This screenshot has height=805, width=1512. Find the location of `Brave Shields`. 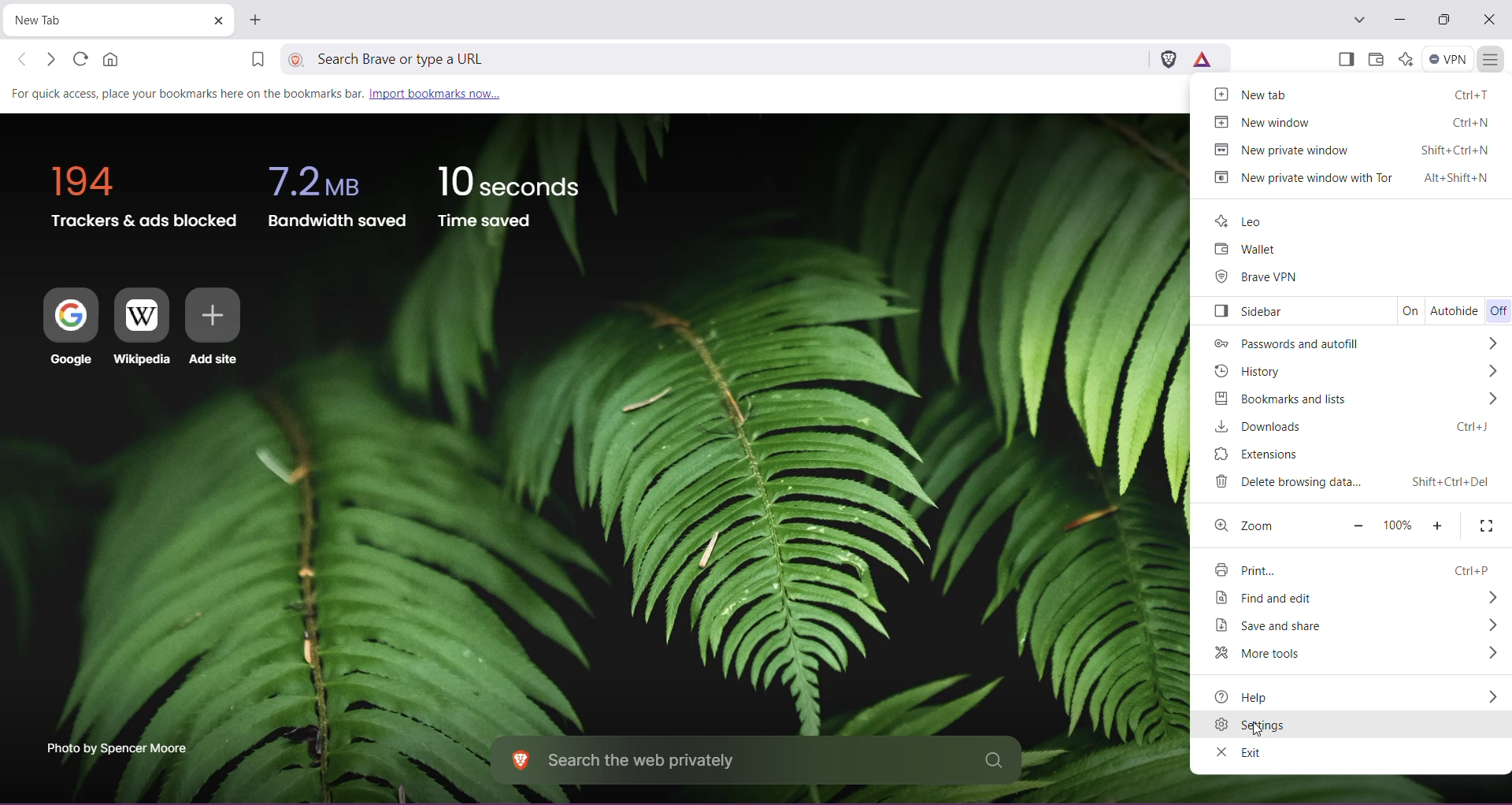

Brave Shields is located at coordinates (1169, 57).